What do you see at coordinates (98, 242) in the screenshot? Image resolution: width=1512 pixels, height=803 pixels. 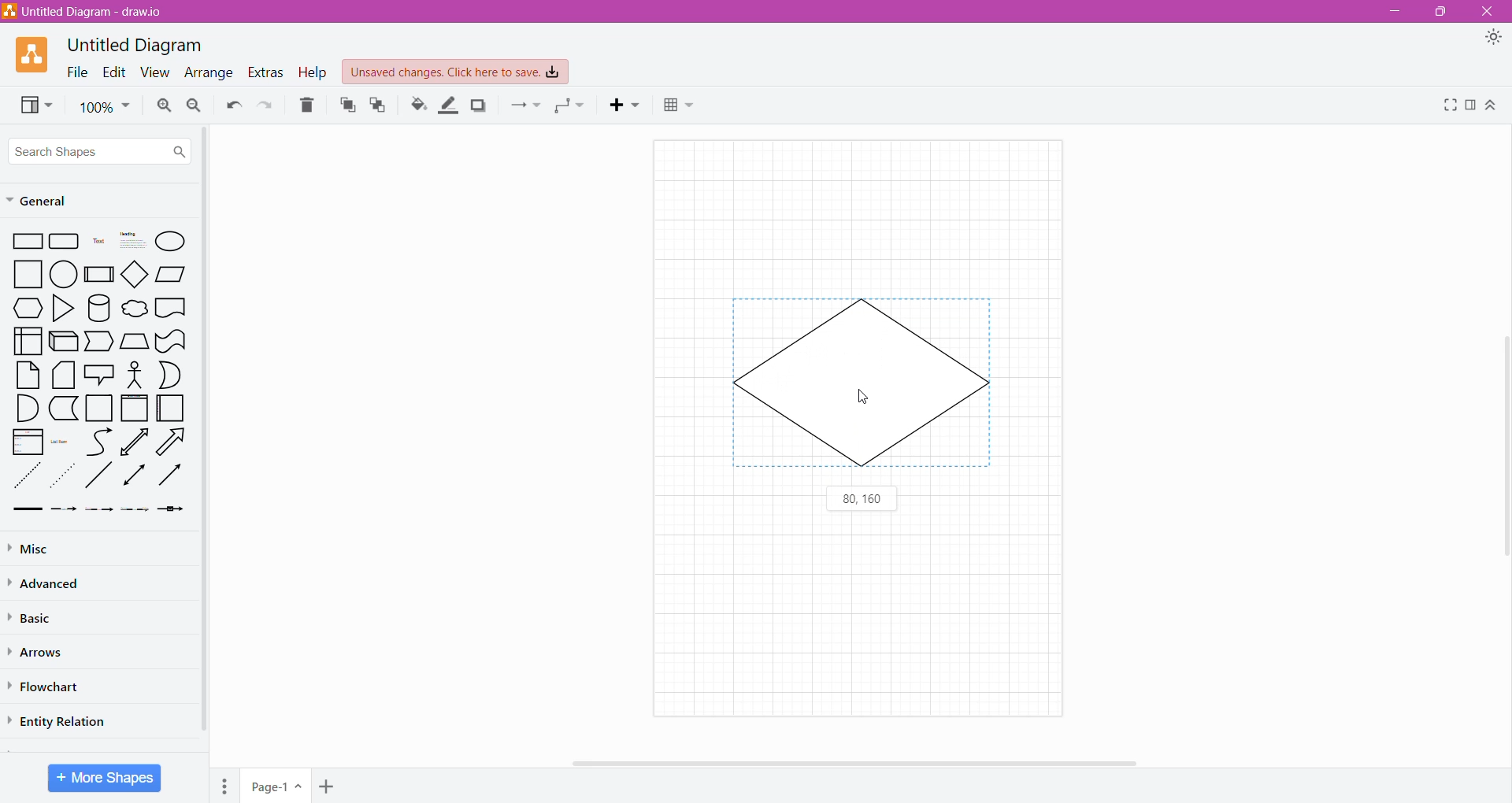 I see `Text` at bounding box center [98, 242].